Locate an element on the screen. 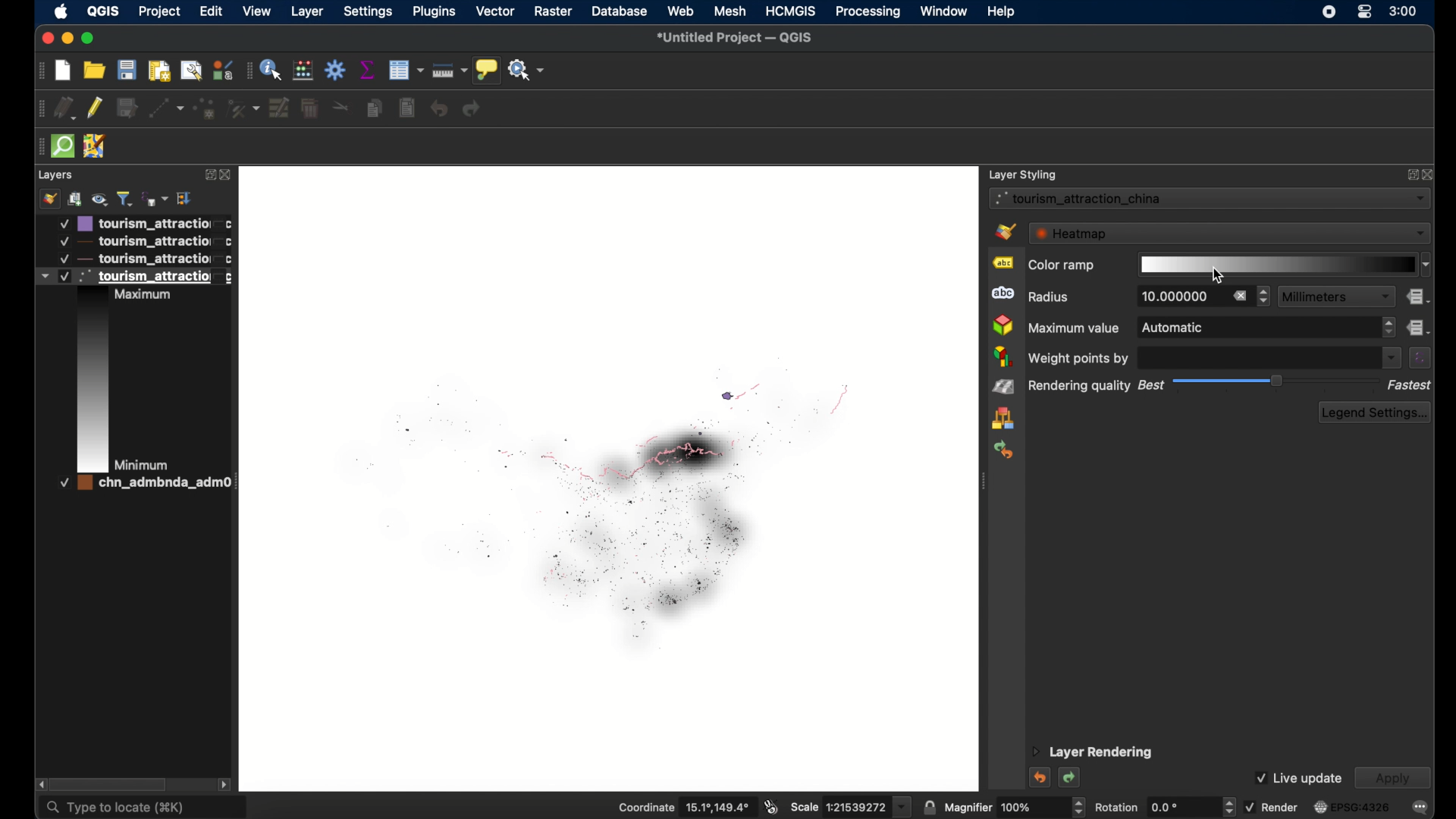  copy features is located at coordinates (374, 108).